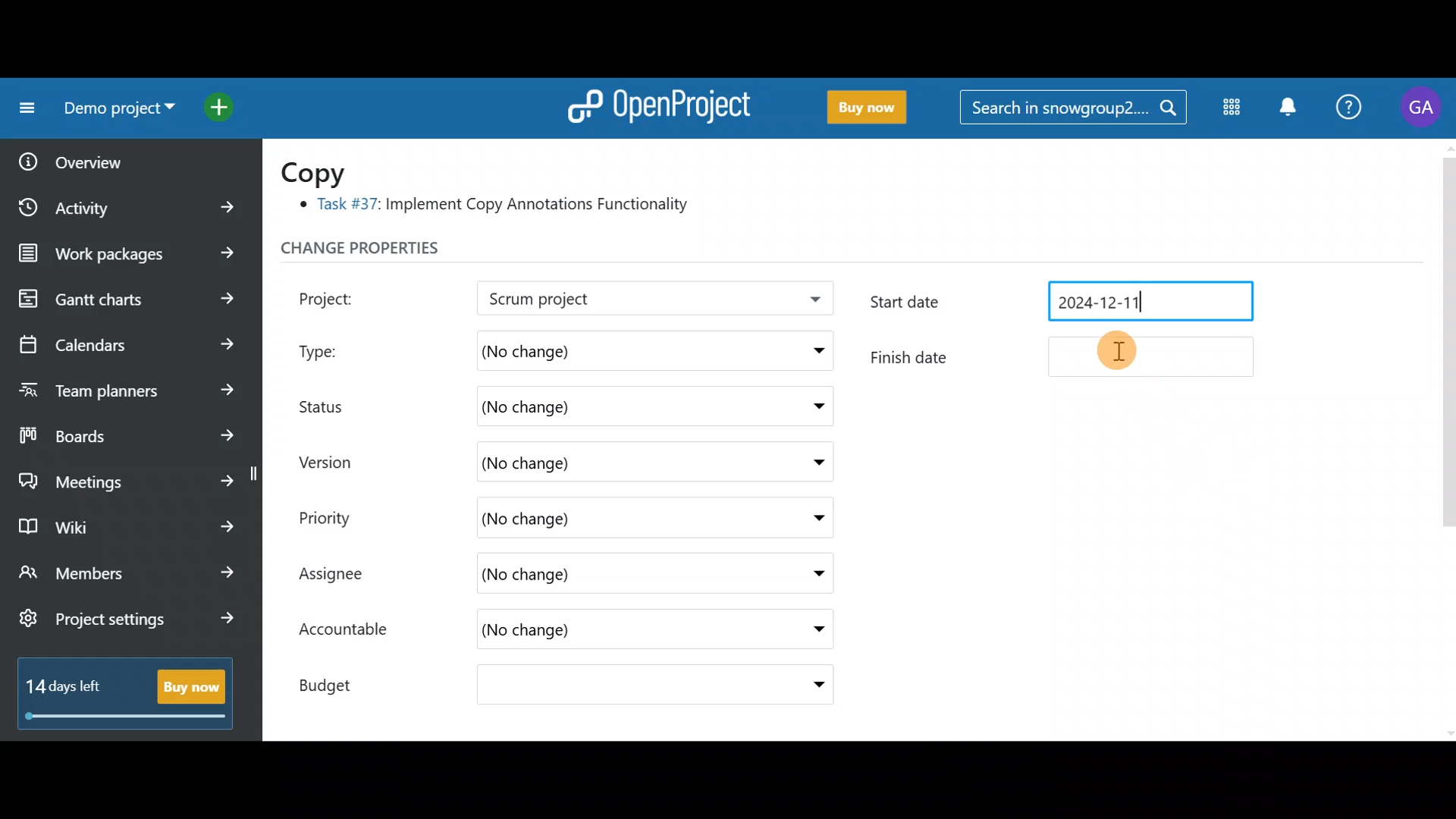  Describe the element at coordinates (340, 681) in the screenshot. I see `Budget` at that location.